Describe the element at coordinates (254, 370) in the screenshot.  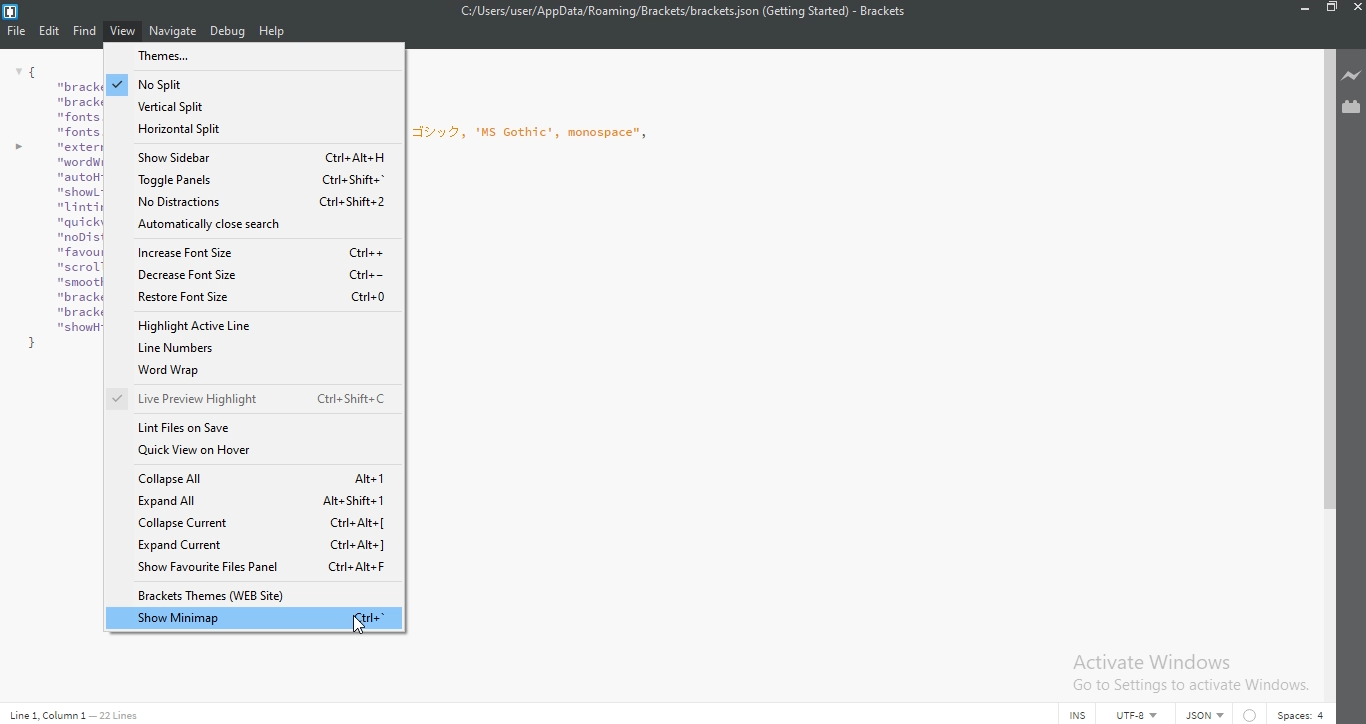
I see `word wrap` at that location.